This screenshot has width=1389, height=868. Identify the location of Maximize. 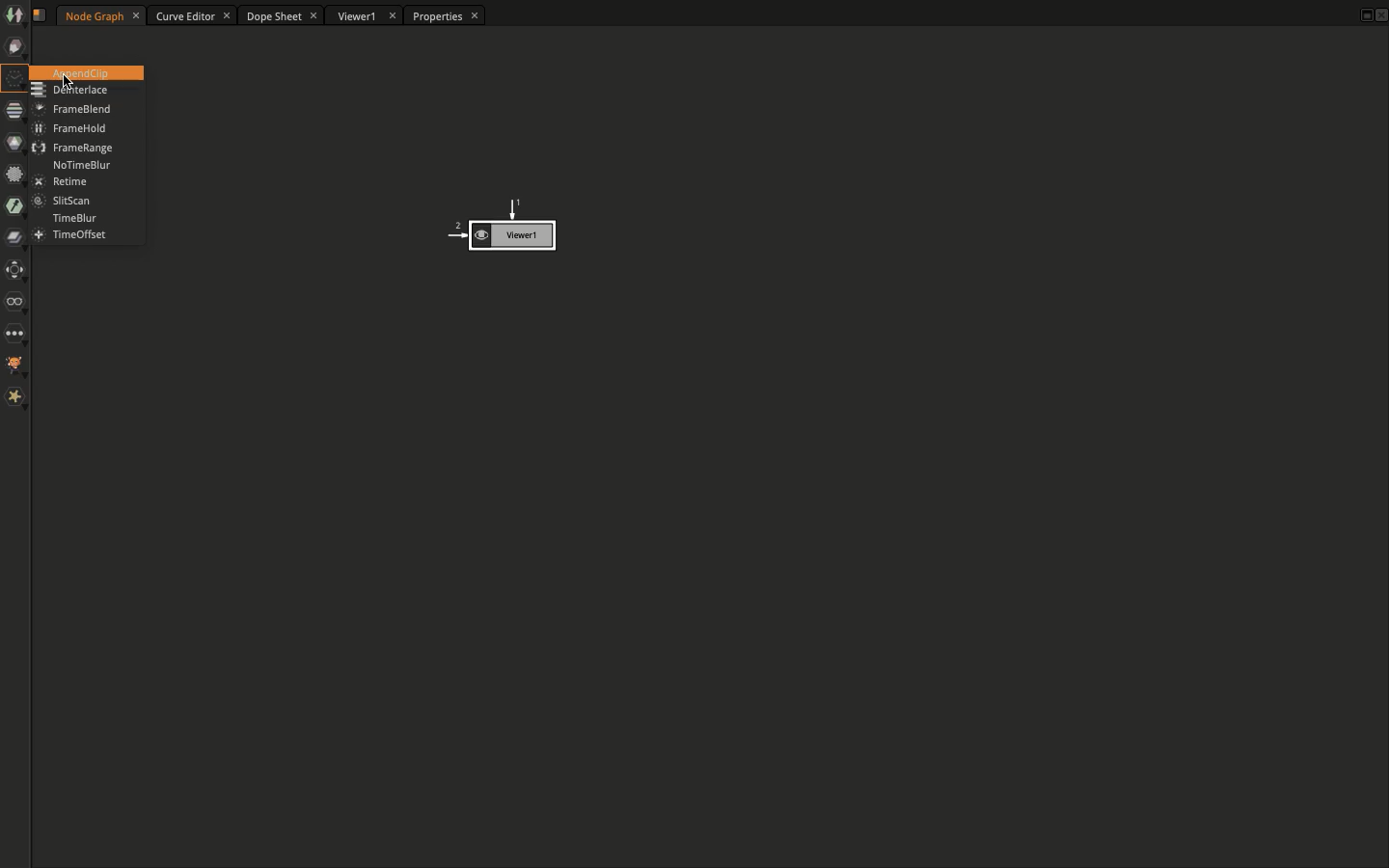
(1362, 14).